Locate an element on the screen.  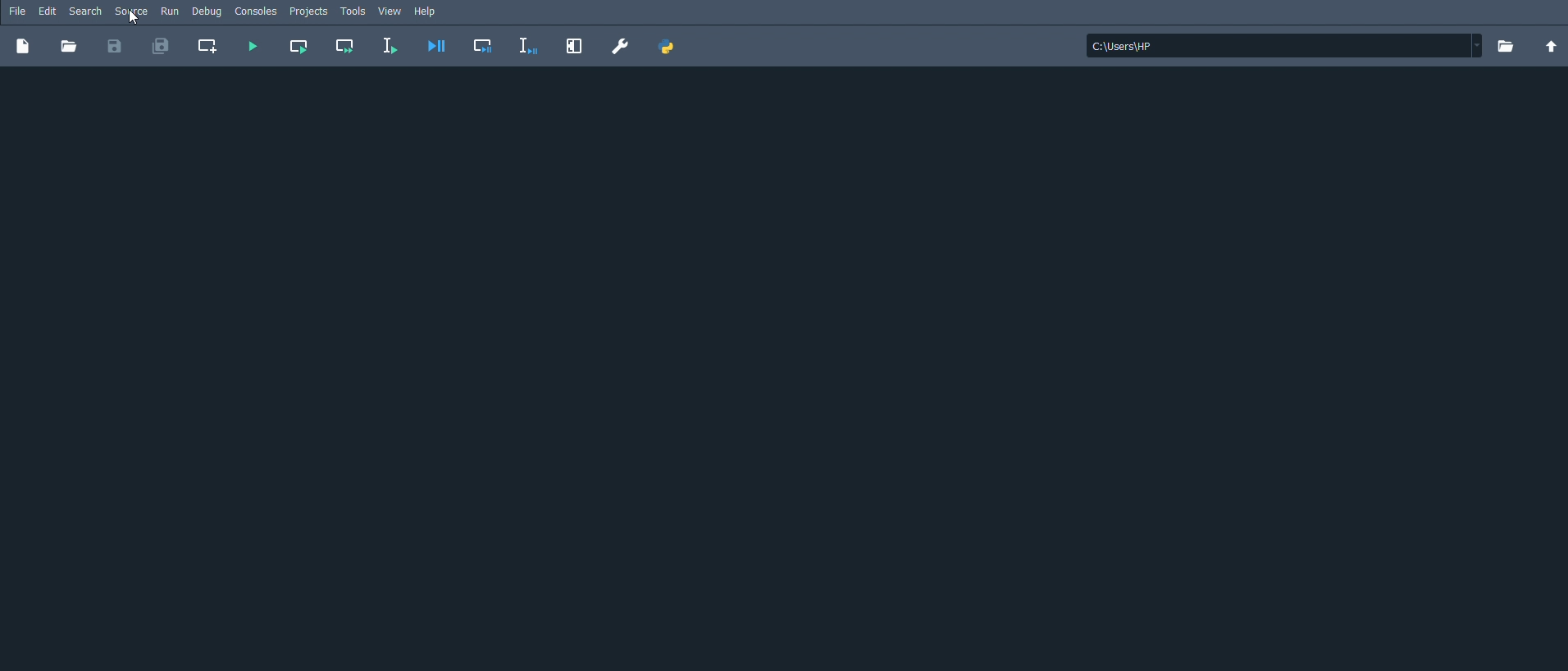
Run file is located at coordinates (253, 46).